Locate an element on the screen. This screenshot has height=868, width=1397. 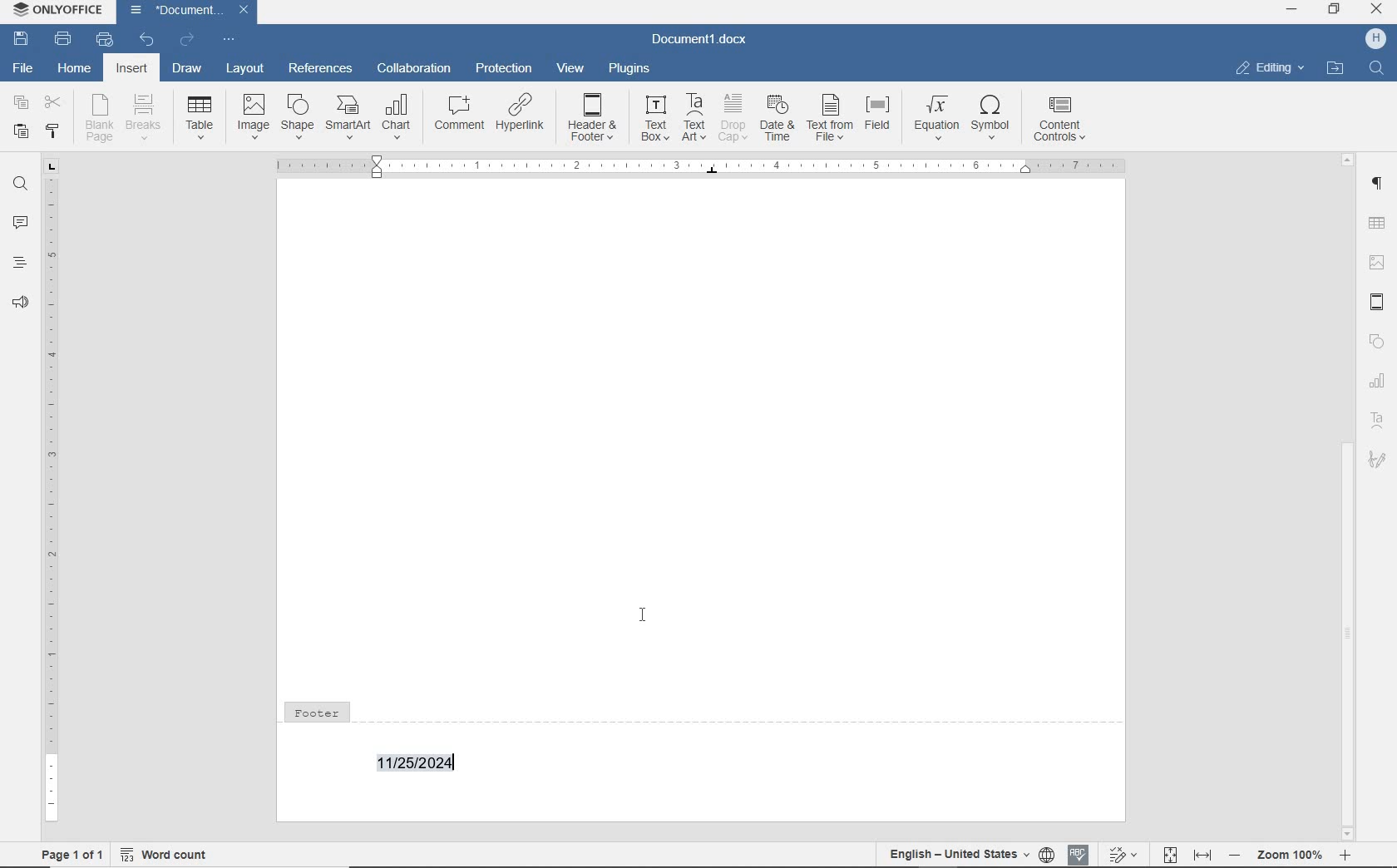
breaks is located at coordinates (146, 118).